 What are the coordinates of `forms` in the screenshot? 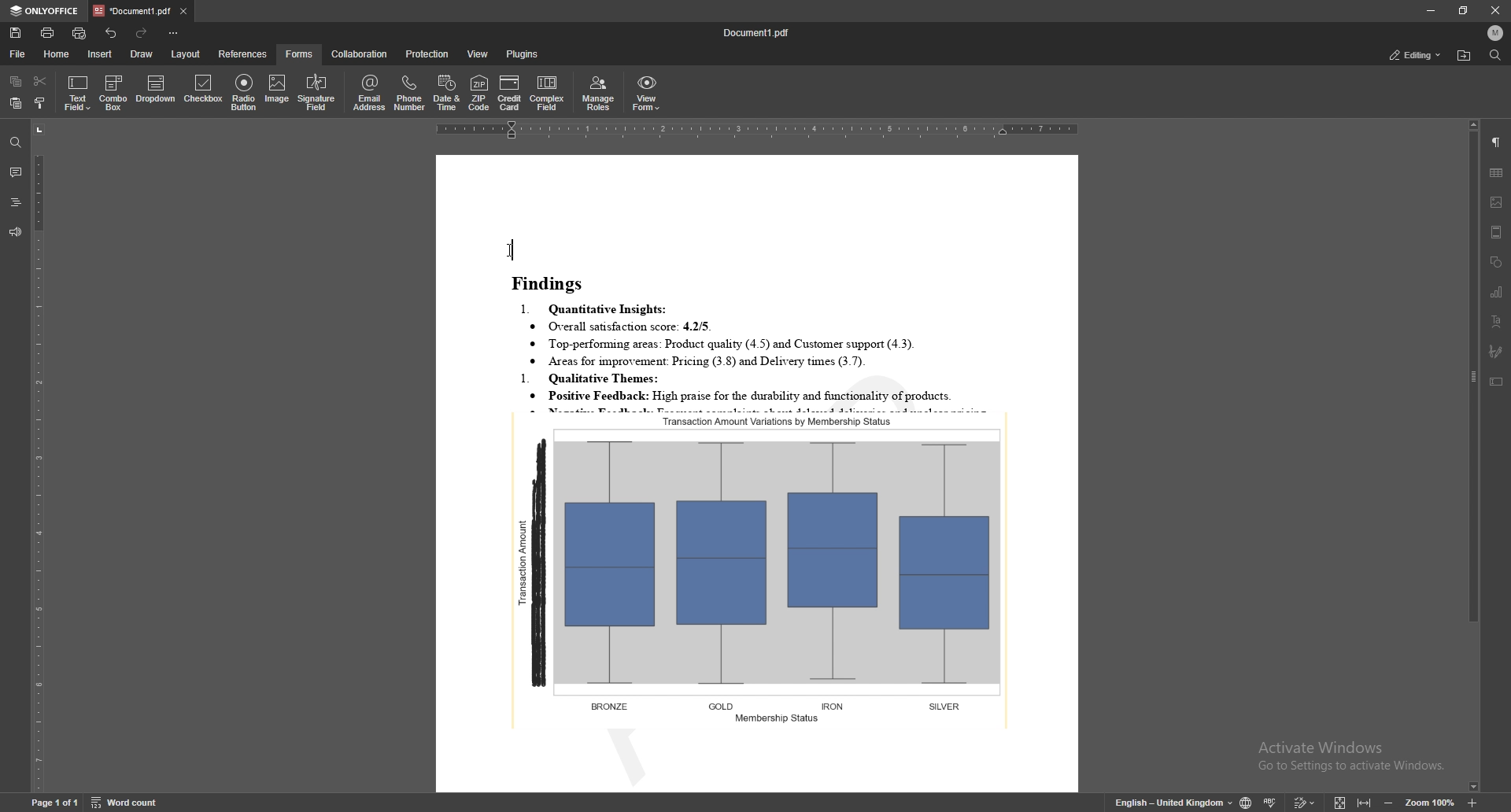 It's located at (300, 54).